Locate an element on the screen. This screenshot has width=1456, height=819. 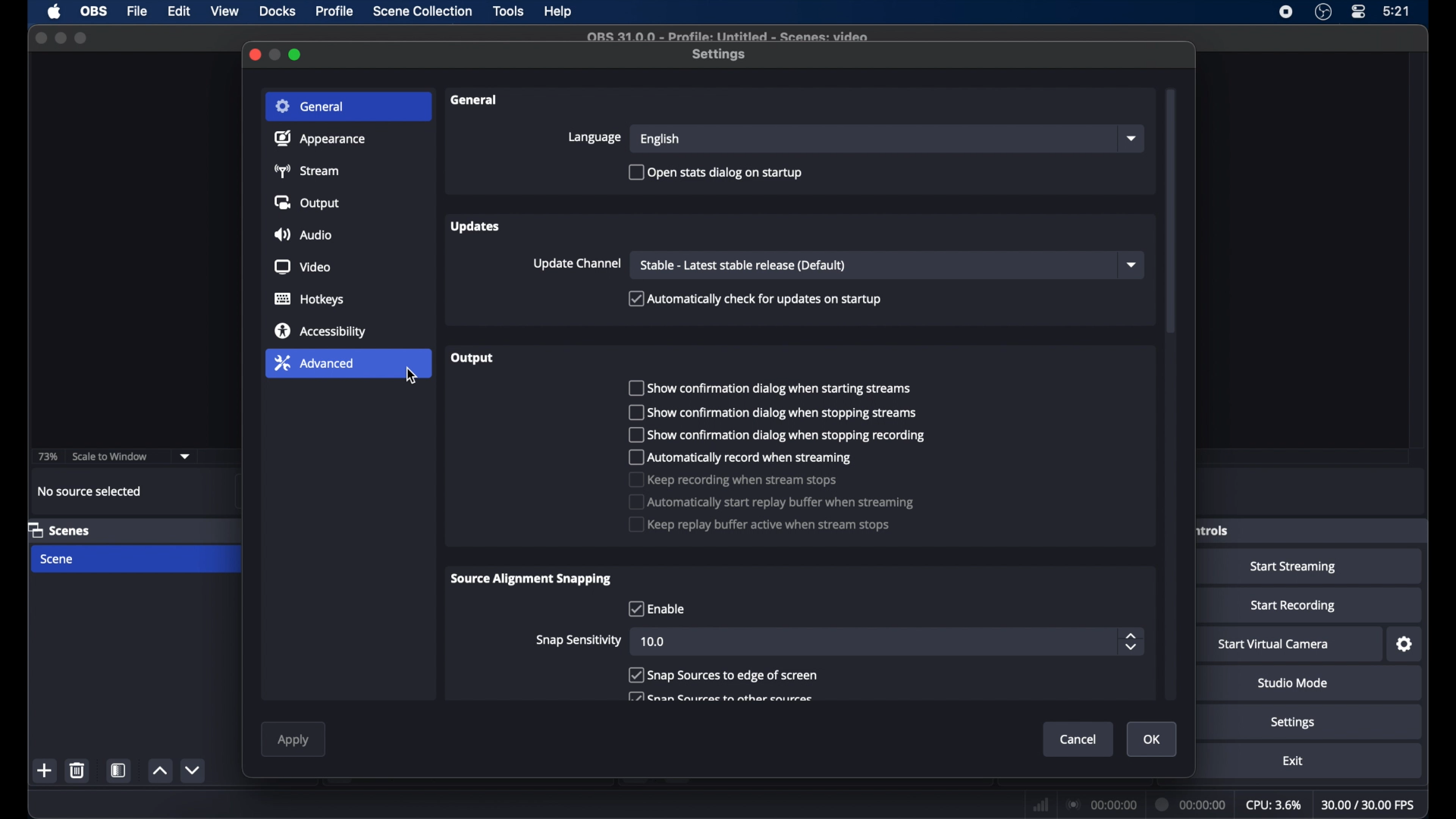
start virtual camera is located at coordinates (1273, 645).